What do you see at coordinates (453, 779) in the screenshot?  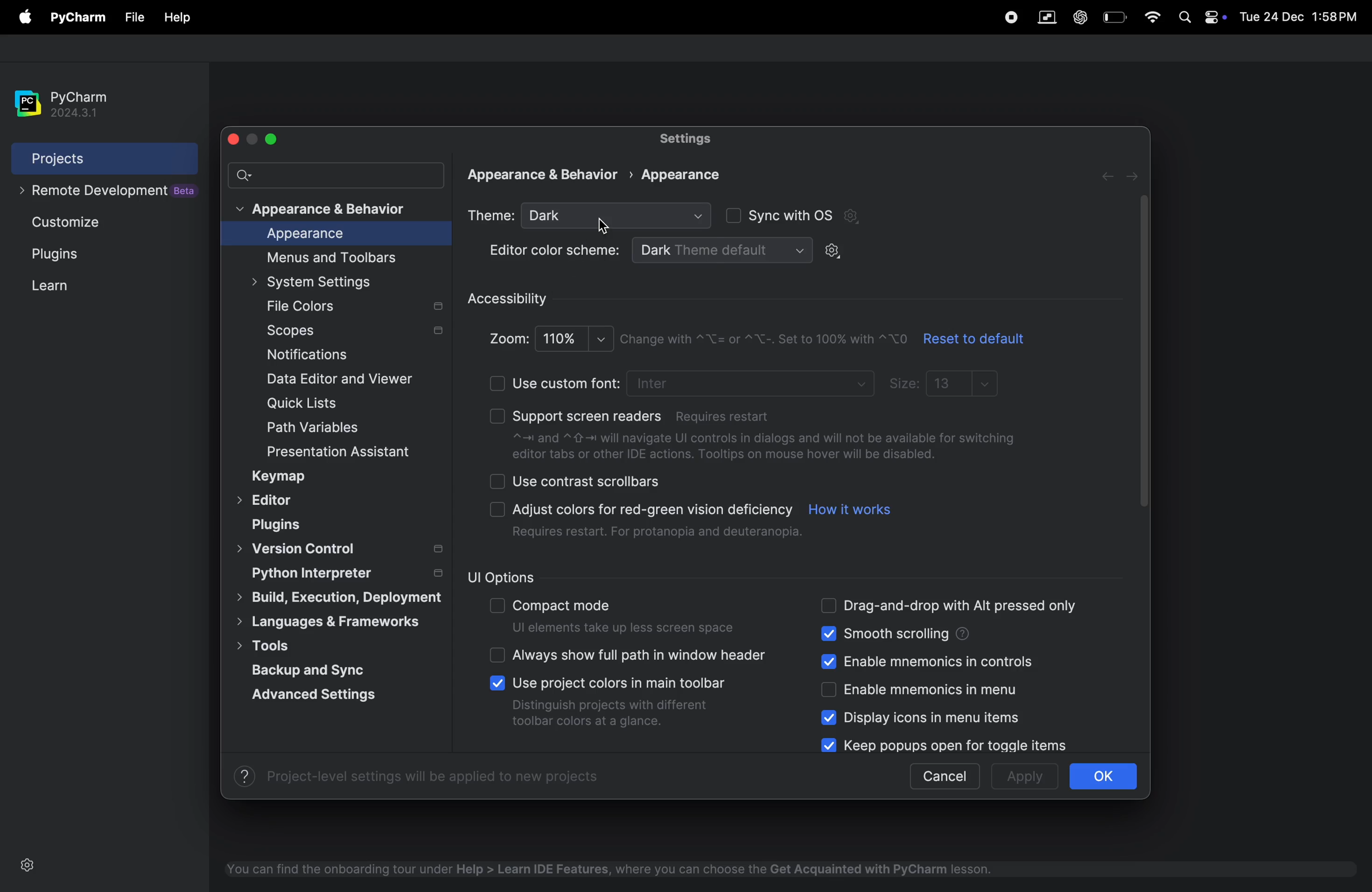 I see ` Project-level settings will be applied to new projects.` at bounding box center [453, 779].